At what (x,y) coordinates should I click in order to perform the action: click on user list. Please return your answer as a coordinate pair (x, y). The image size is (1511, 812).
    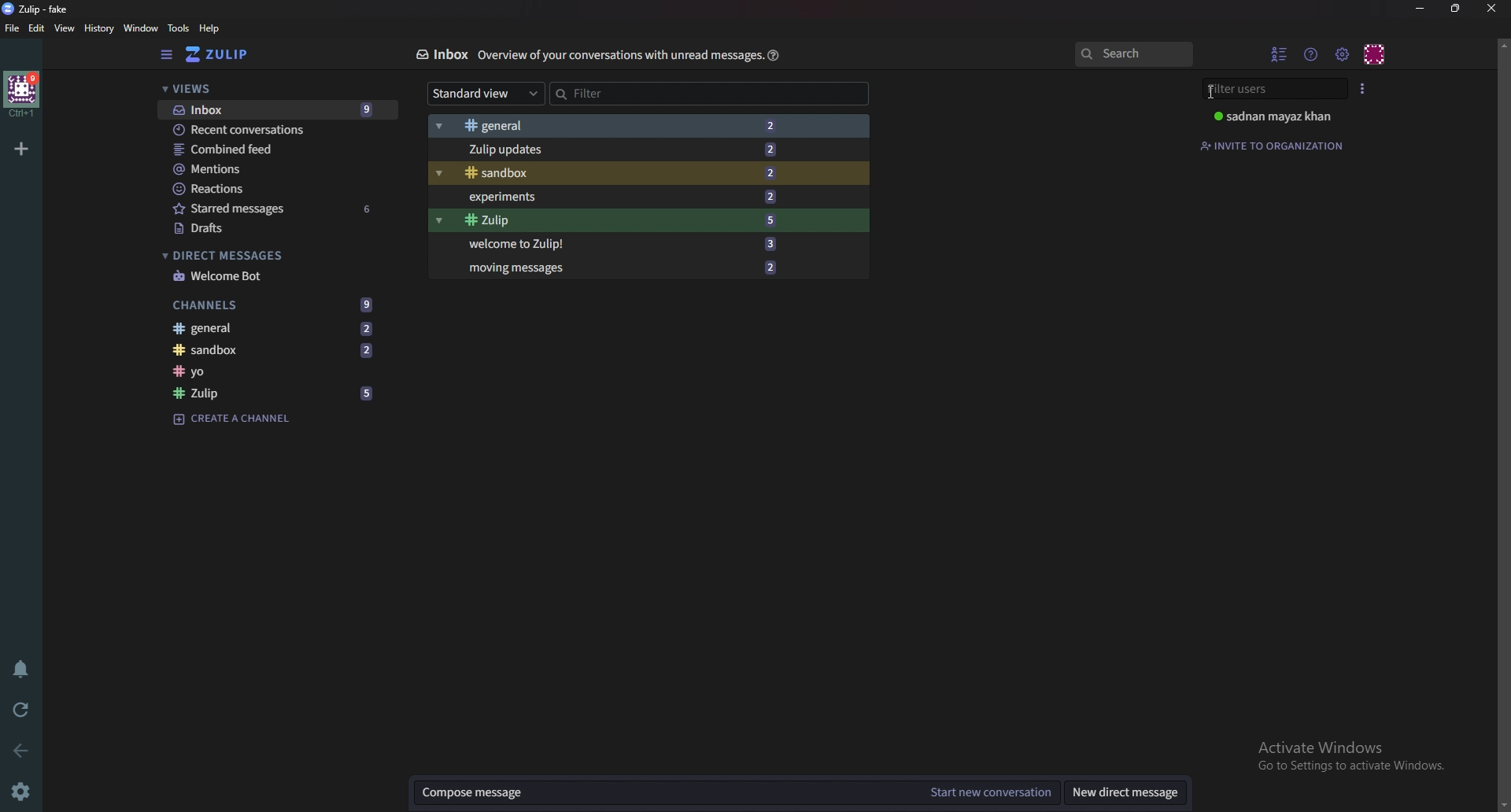
    Looking at the image, I should click on (1284, 54).